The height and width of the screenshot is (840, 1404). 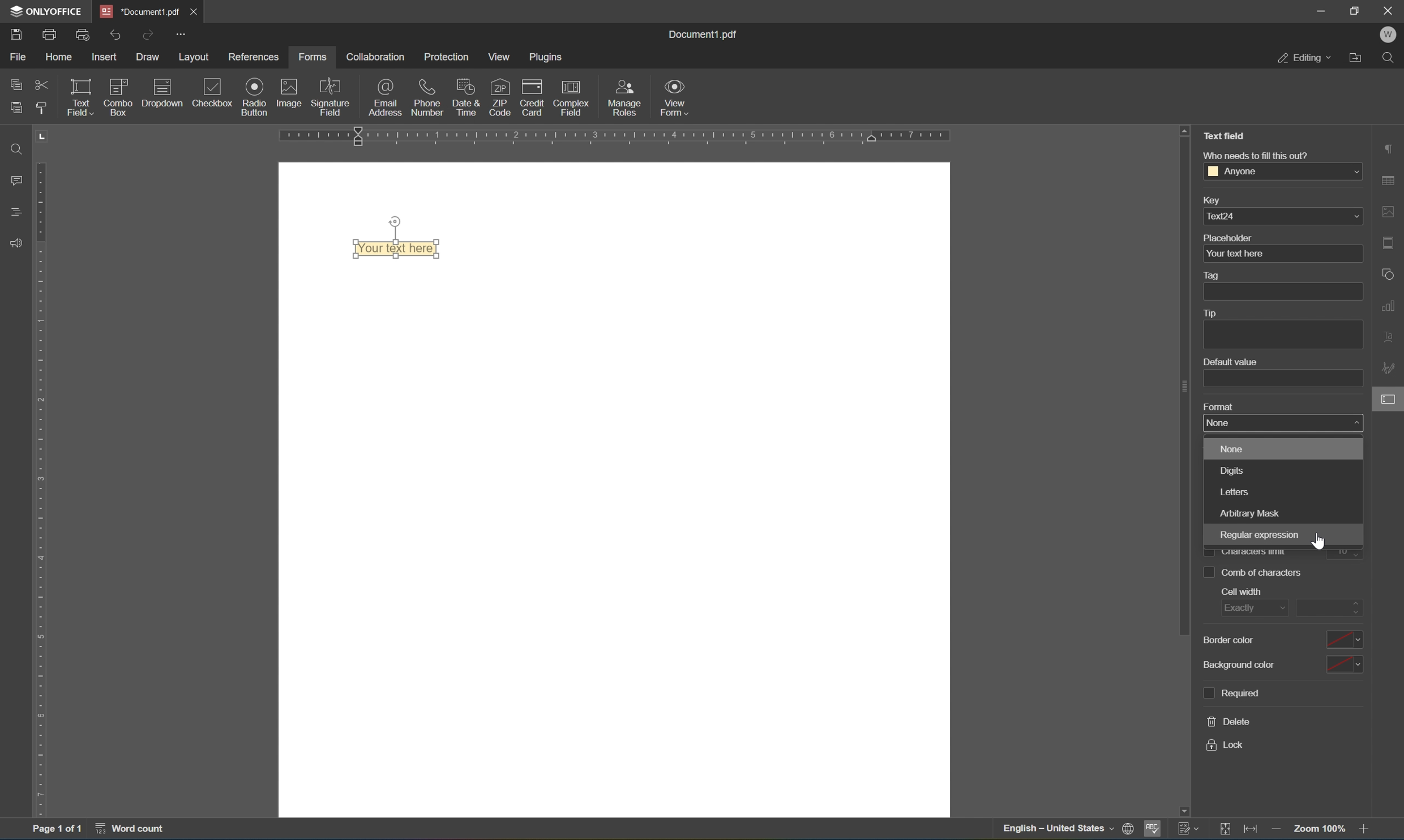 What do you see at coordinates (18, 56) in the screenshot?
I see `file` at bounding box center [18, 56].